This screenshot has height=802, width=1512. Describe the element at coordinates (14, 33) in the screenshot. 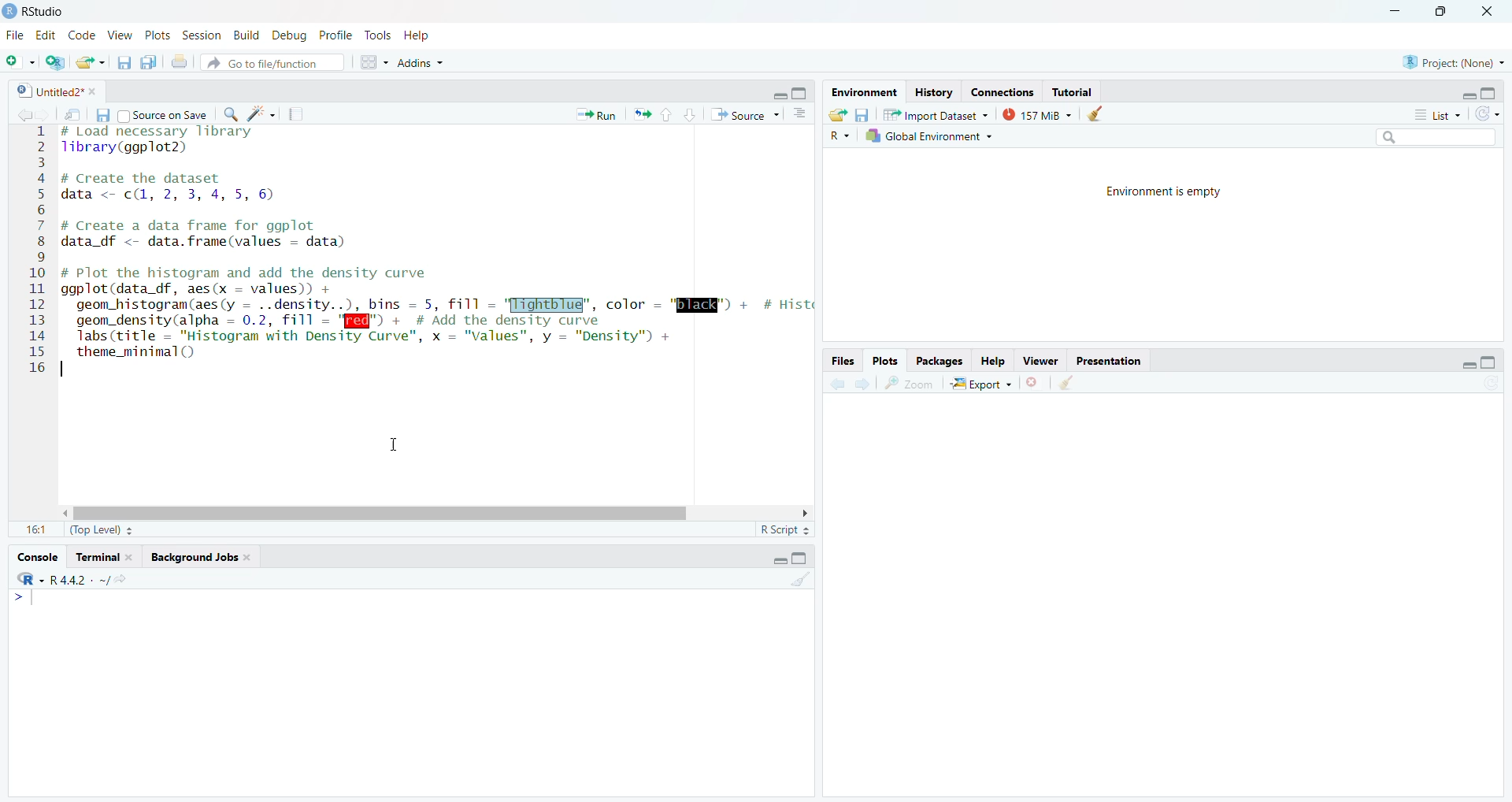

I see `File` at that location.